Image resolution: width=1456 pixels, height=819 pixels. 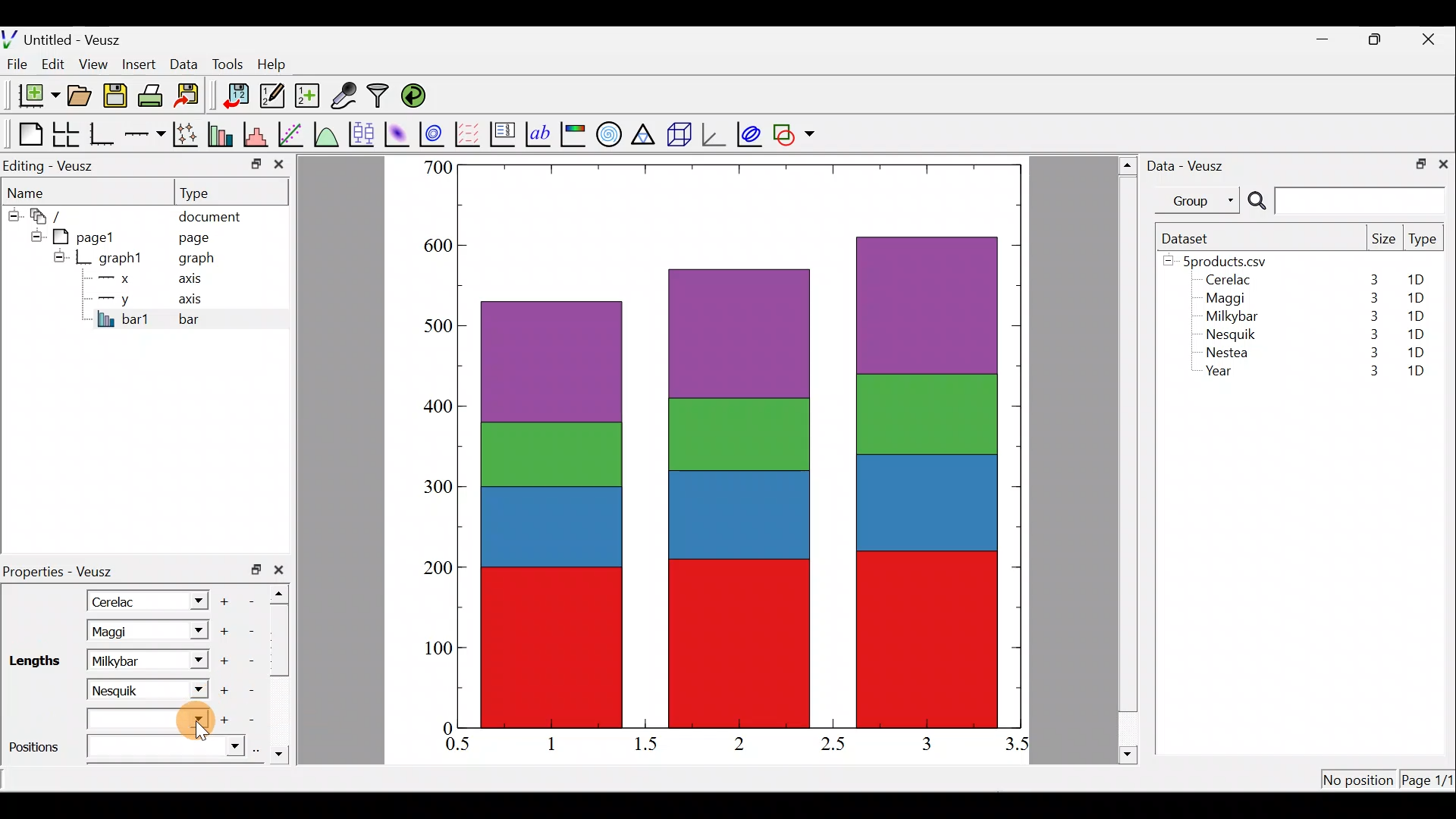 What do you see at coordinates (67, 37) in the screenshot?
I see `Untitled - Veusz` at bounding box center [67, 37].